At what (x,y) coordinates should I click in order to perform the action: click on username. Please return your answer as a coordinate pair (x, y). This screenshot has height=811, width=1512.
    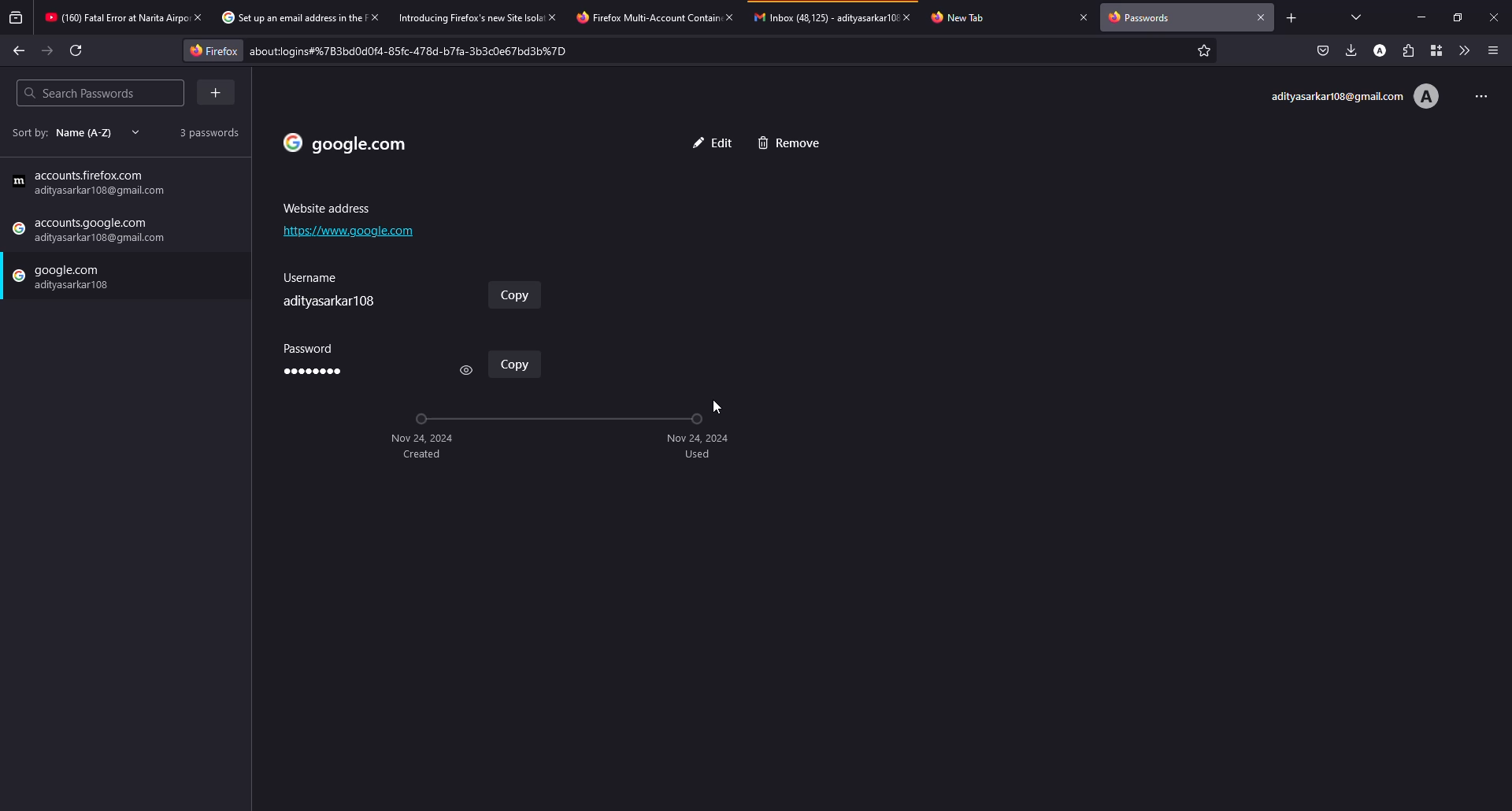
    Looking at the image, I should click on (343, 302).